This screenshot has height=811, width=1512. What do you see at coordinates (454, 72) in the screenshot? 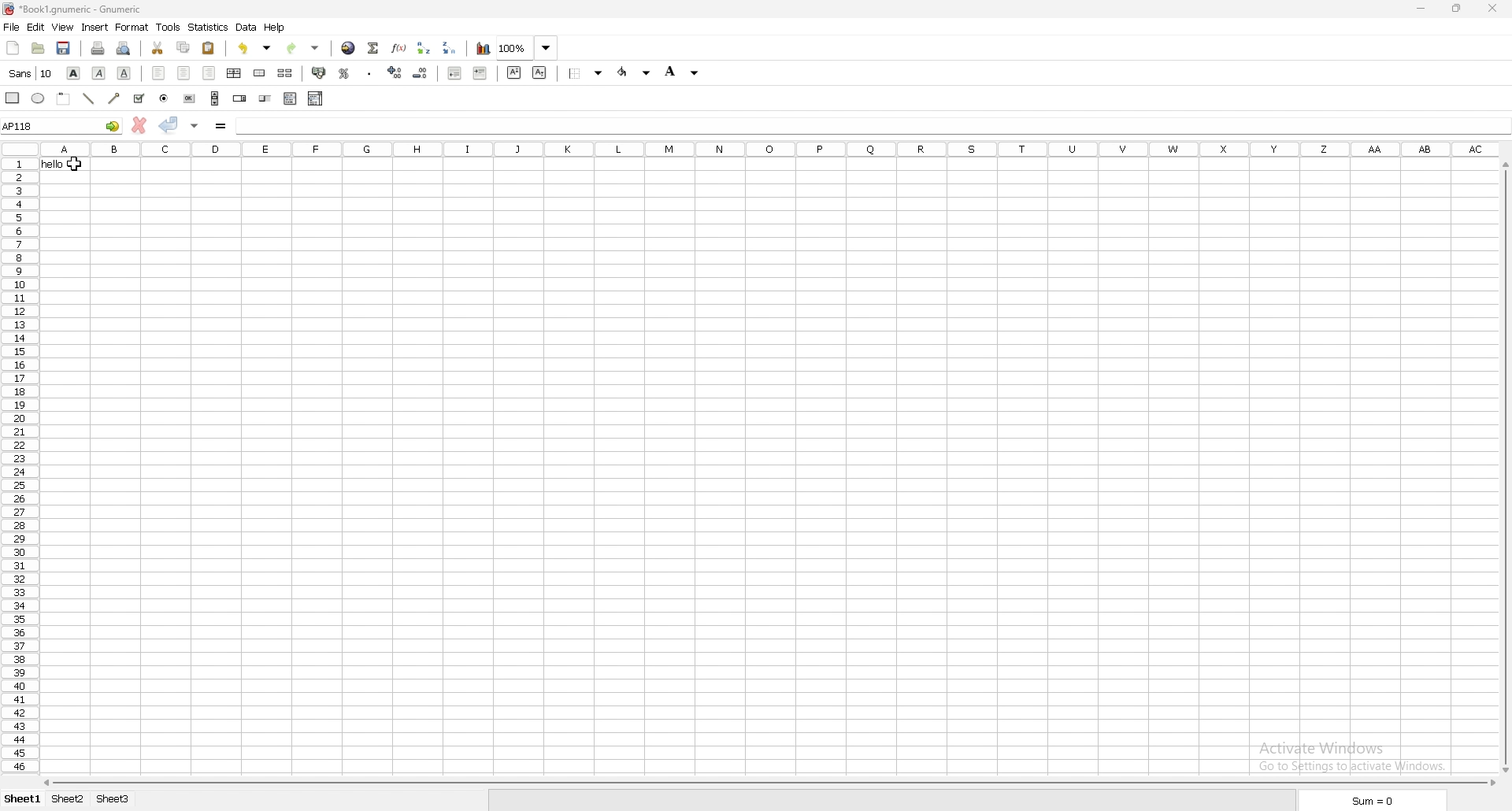
I see `decrease indent` at bounding box center [454, 72].